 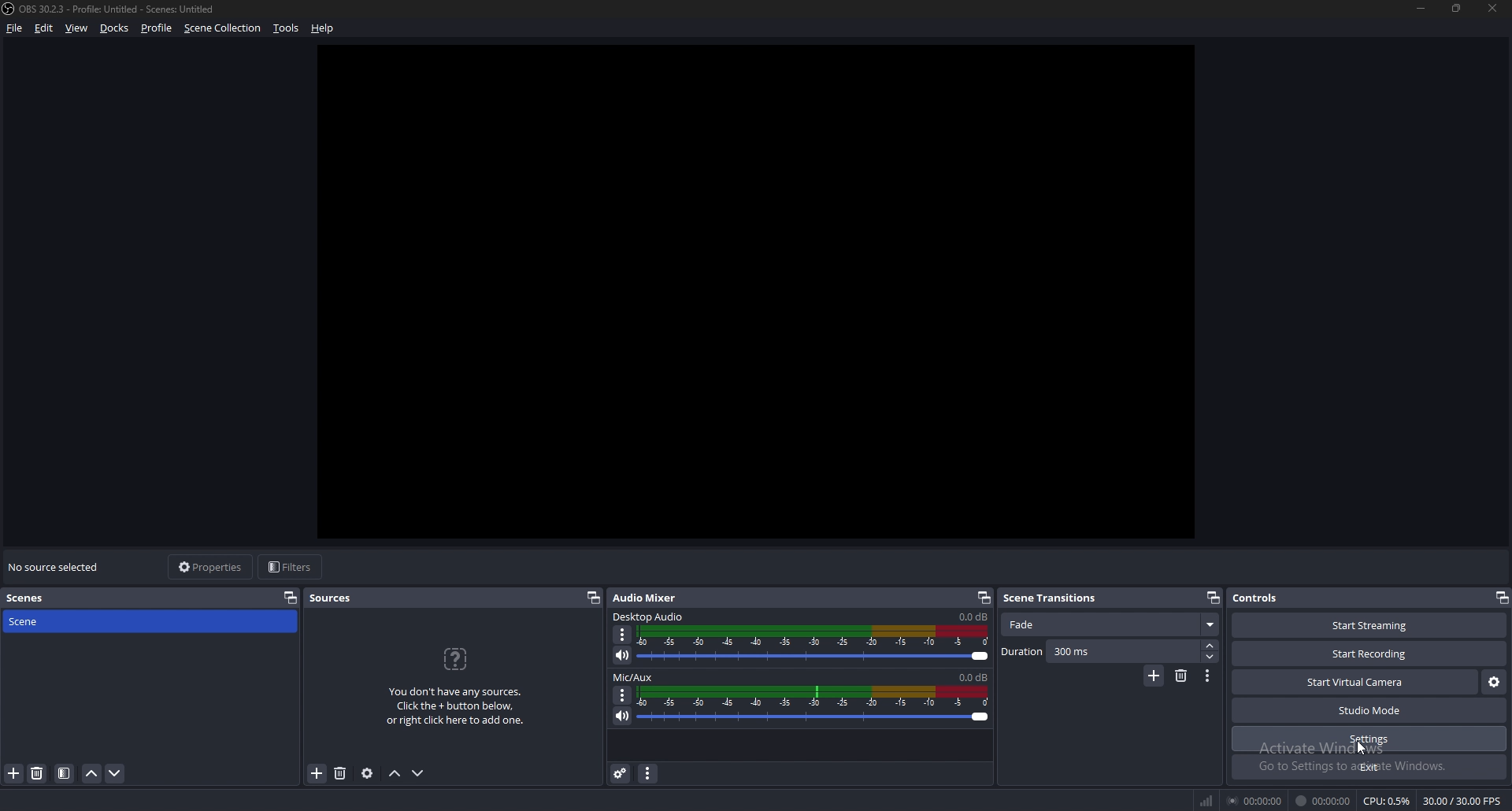 I want to click on pop out, so click(x=1502, y=597).